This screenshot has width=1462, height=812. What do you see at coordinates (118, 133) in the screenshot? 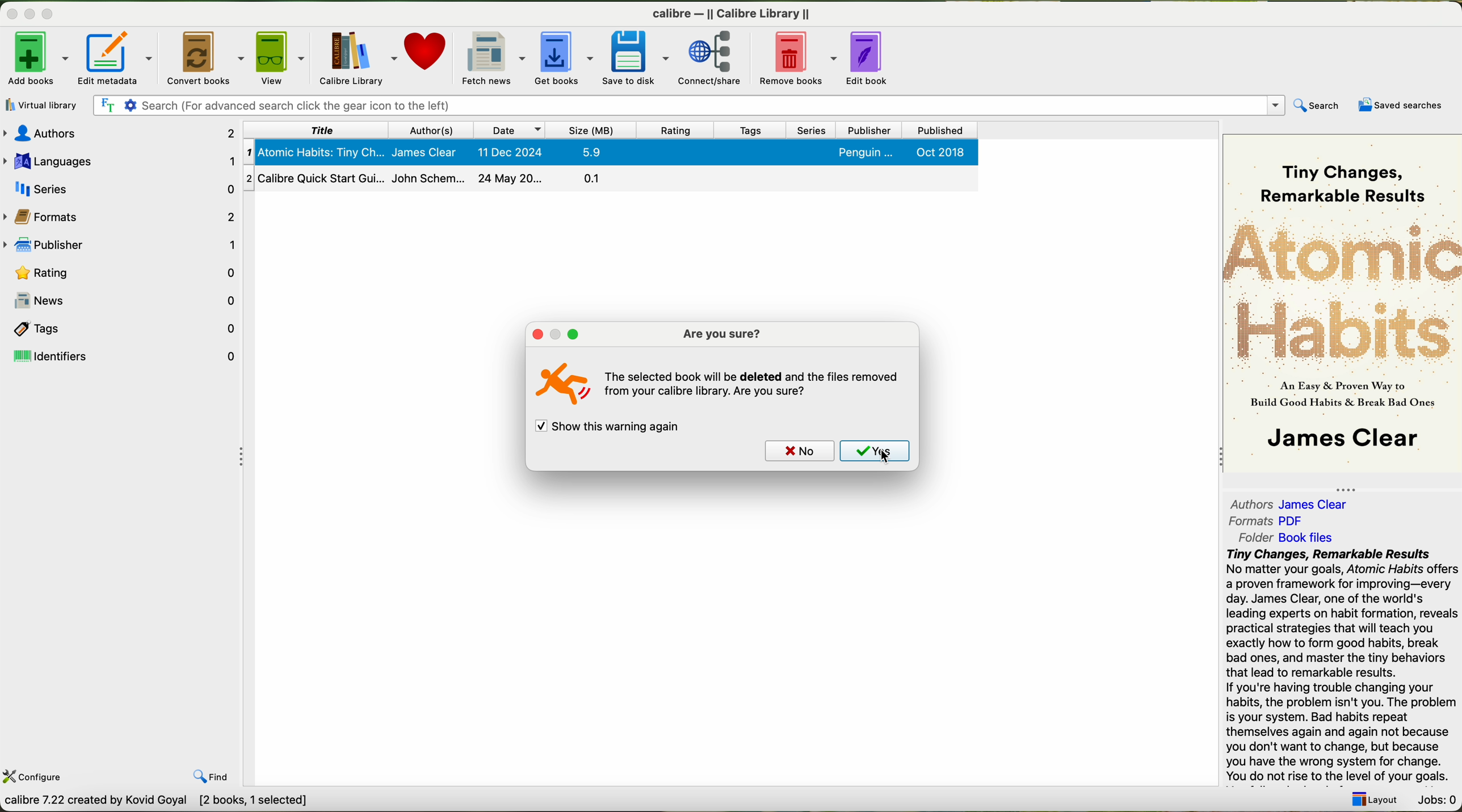
I see `authors` at bounding box center [118, 133].